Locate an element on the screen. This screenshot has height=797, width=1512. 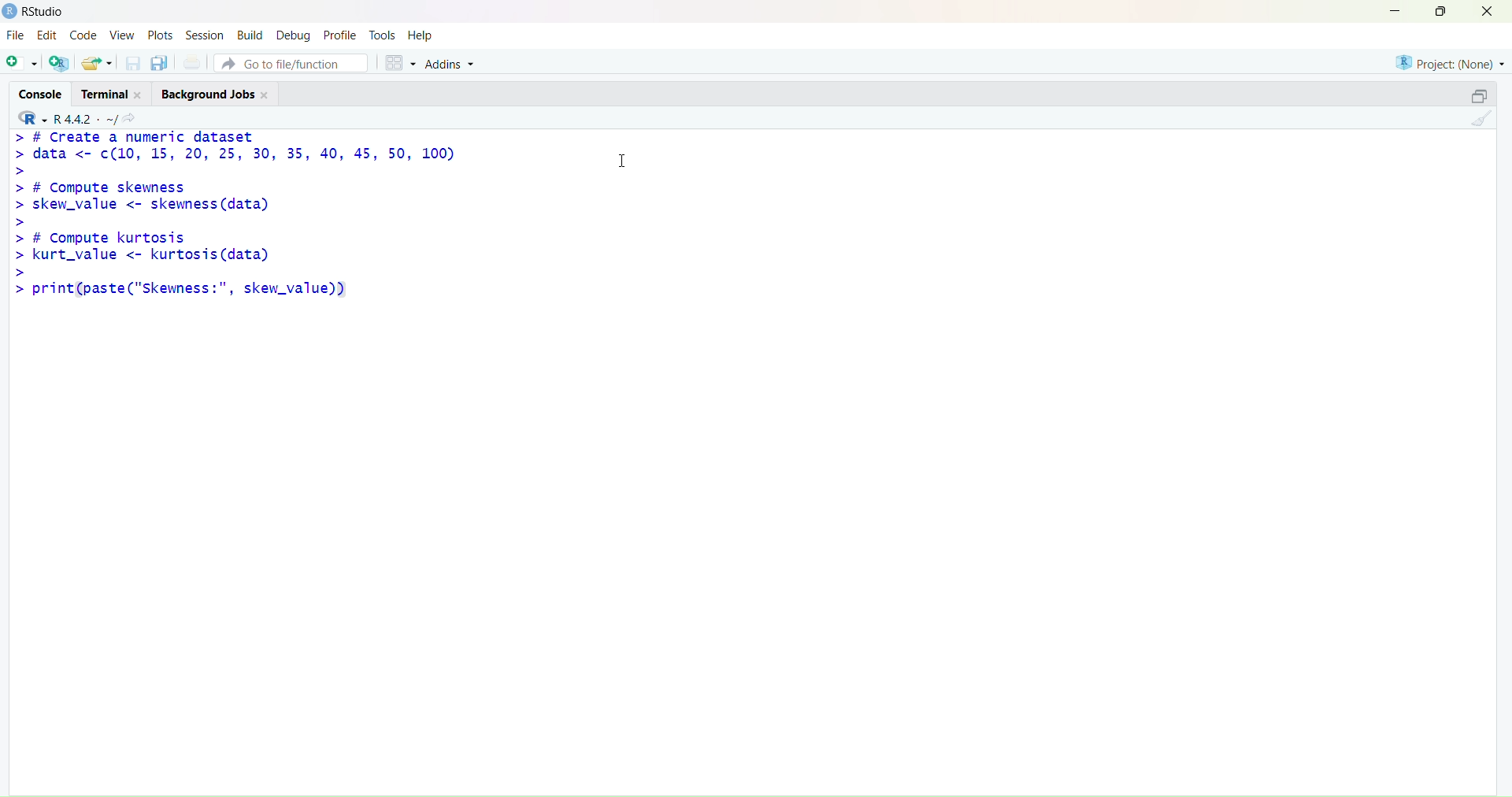
Code is located at coordinates (84, 36).